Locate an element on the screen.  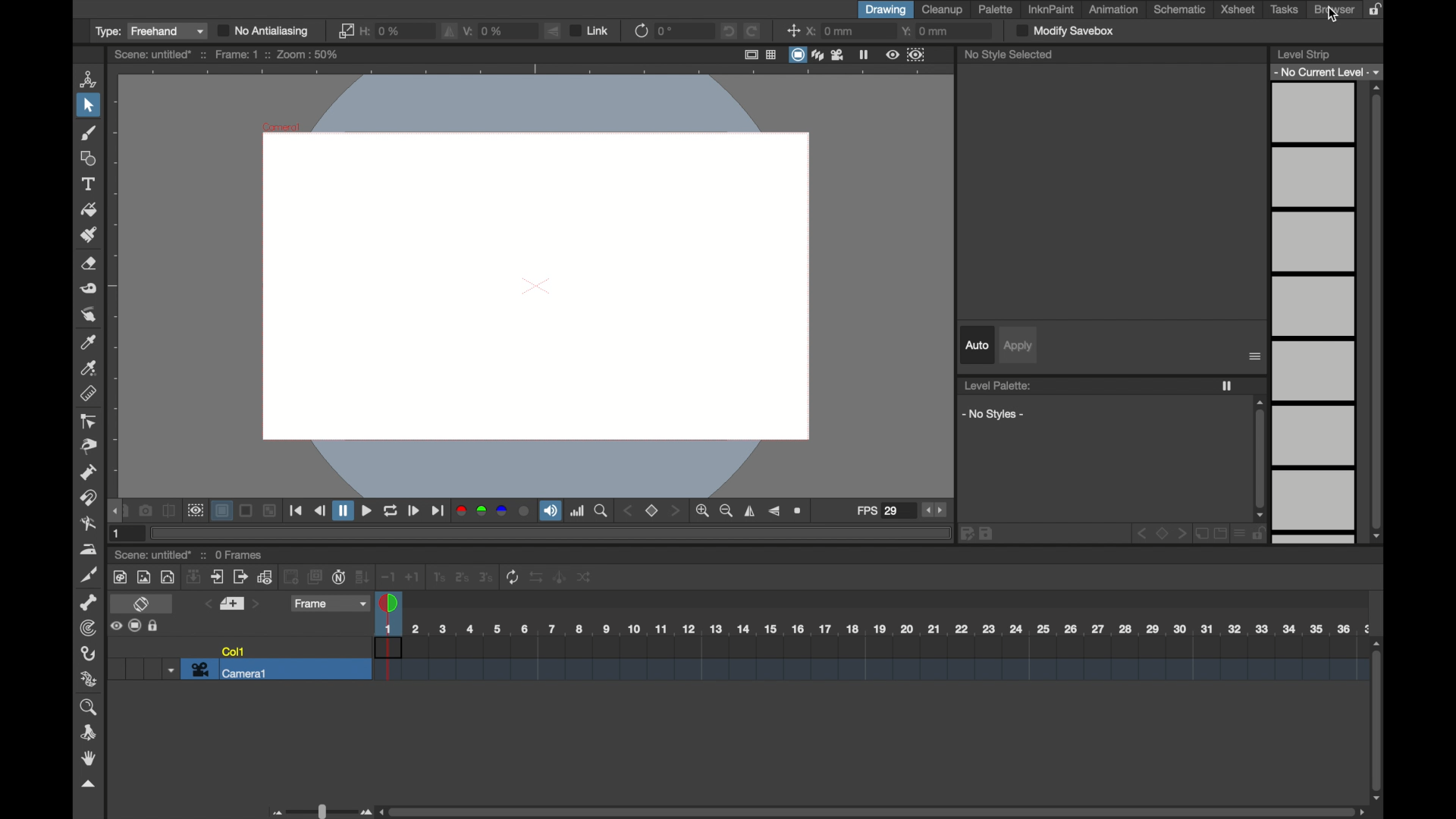
film is located at coordinates (839, 55).